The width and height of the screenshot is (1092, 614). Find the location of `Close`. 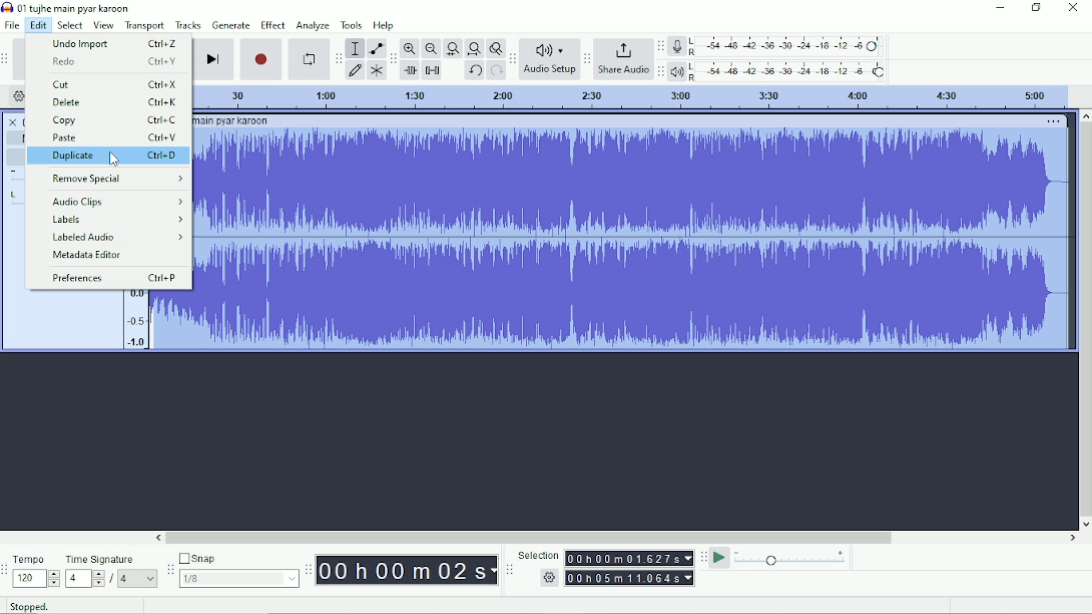

Close is located at coordinates (1072, 8).